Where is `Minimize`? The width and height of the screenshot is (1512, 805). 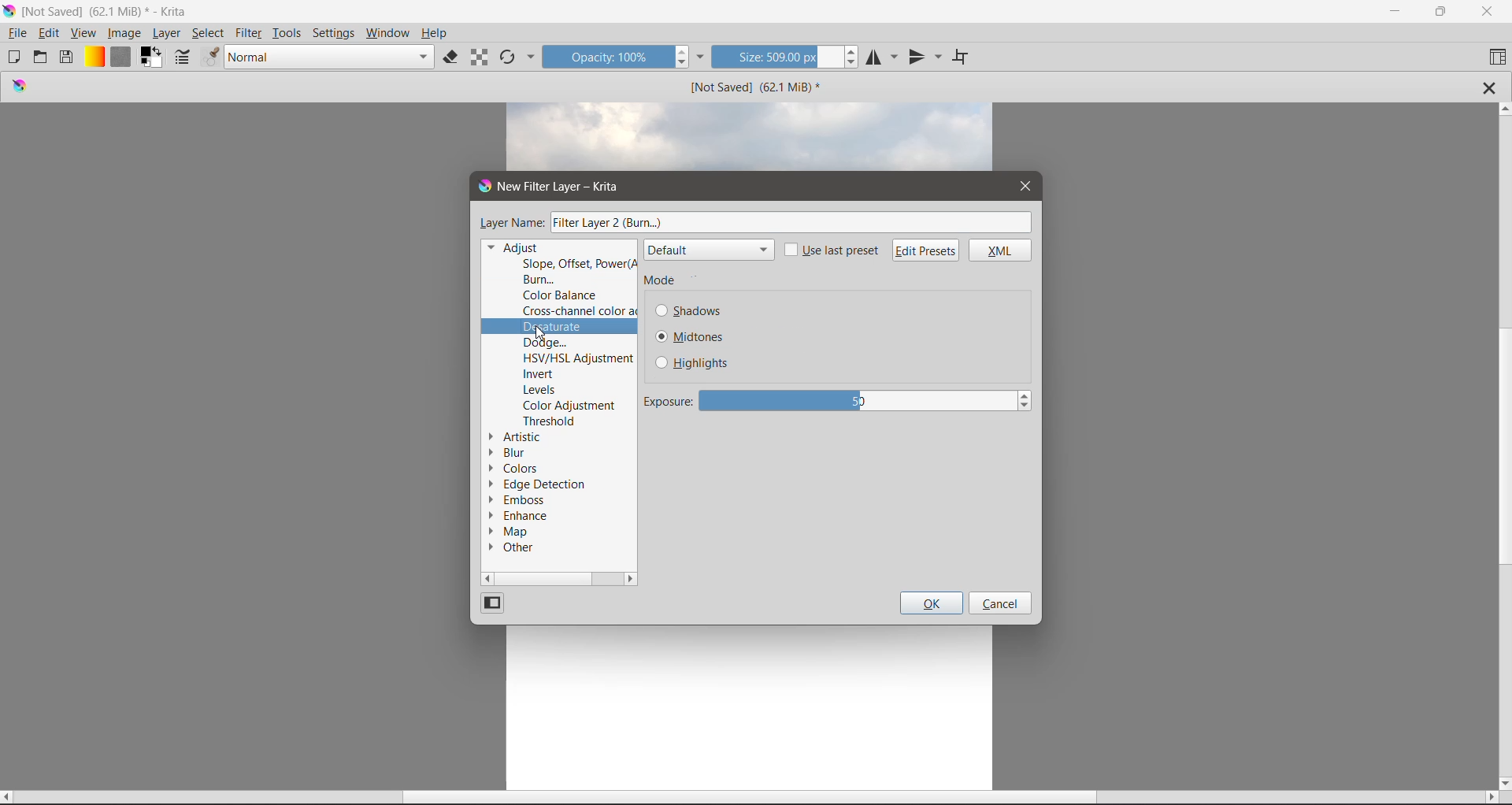
Minimize is located at coordinates (1392, 9).